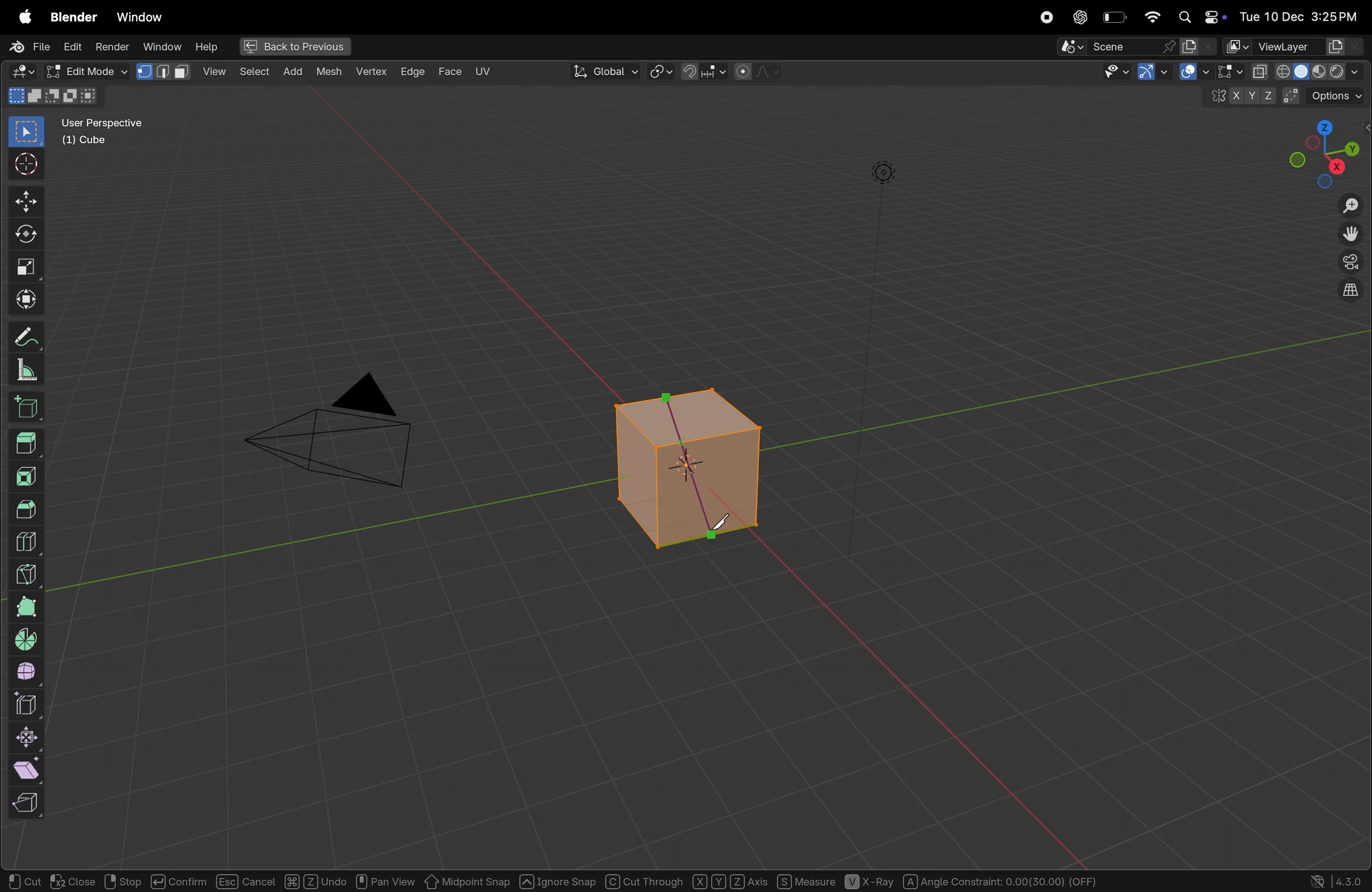 The height and width of the screenshot is (892, 1372). What do you see at coordinates (121, 881) in the screenshot?
I see `Stop` at bounding box center [121, 881].